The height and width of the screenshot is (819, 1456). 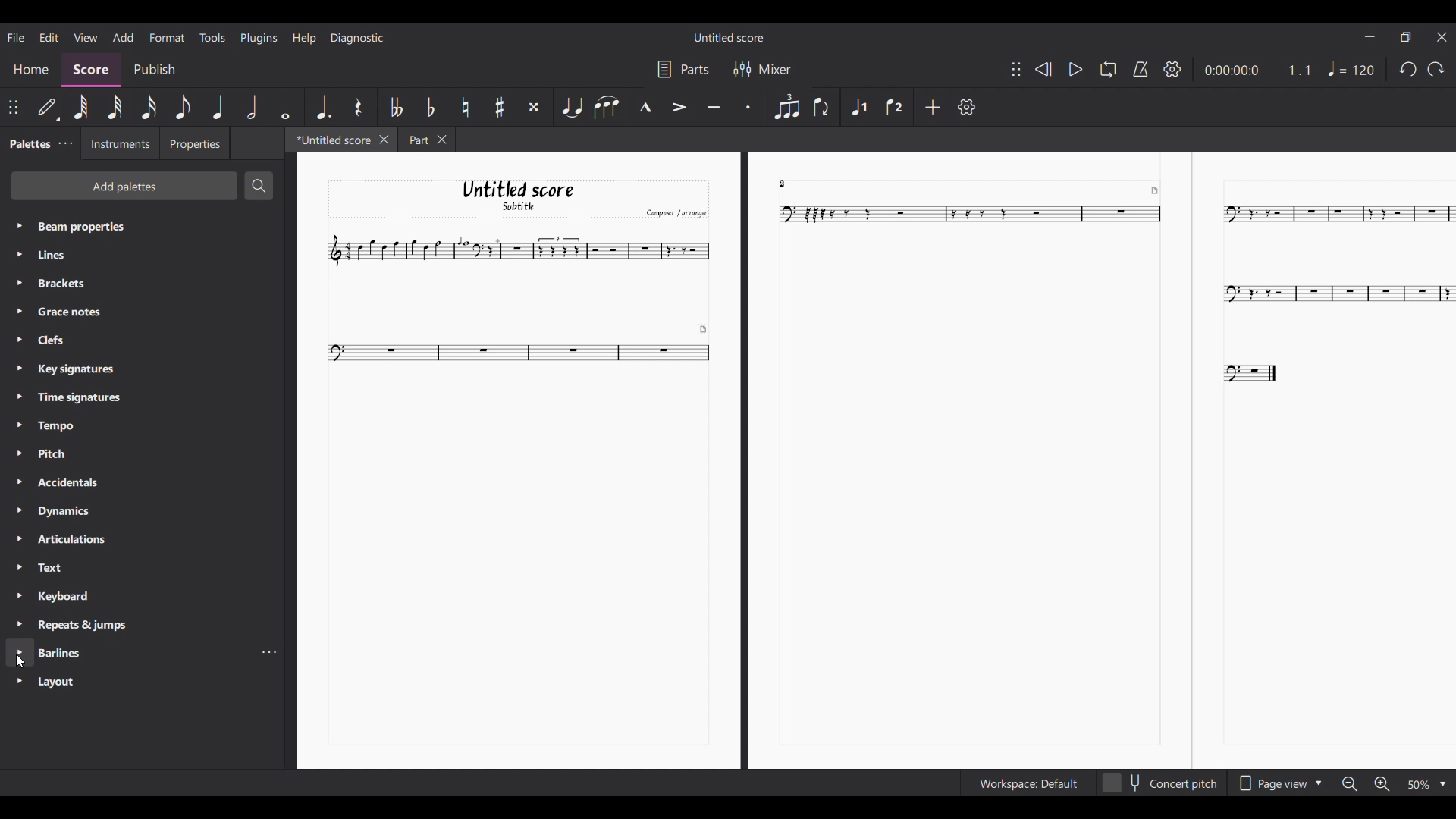 I want to click on Settings, so click(x=967, y=107).